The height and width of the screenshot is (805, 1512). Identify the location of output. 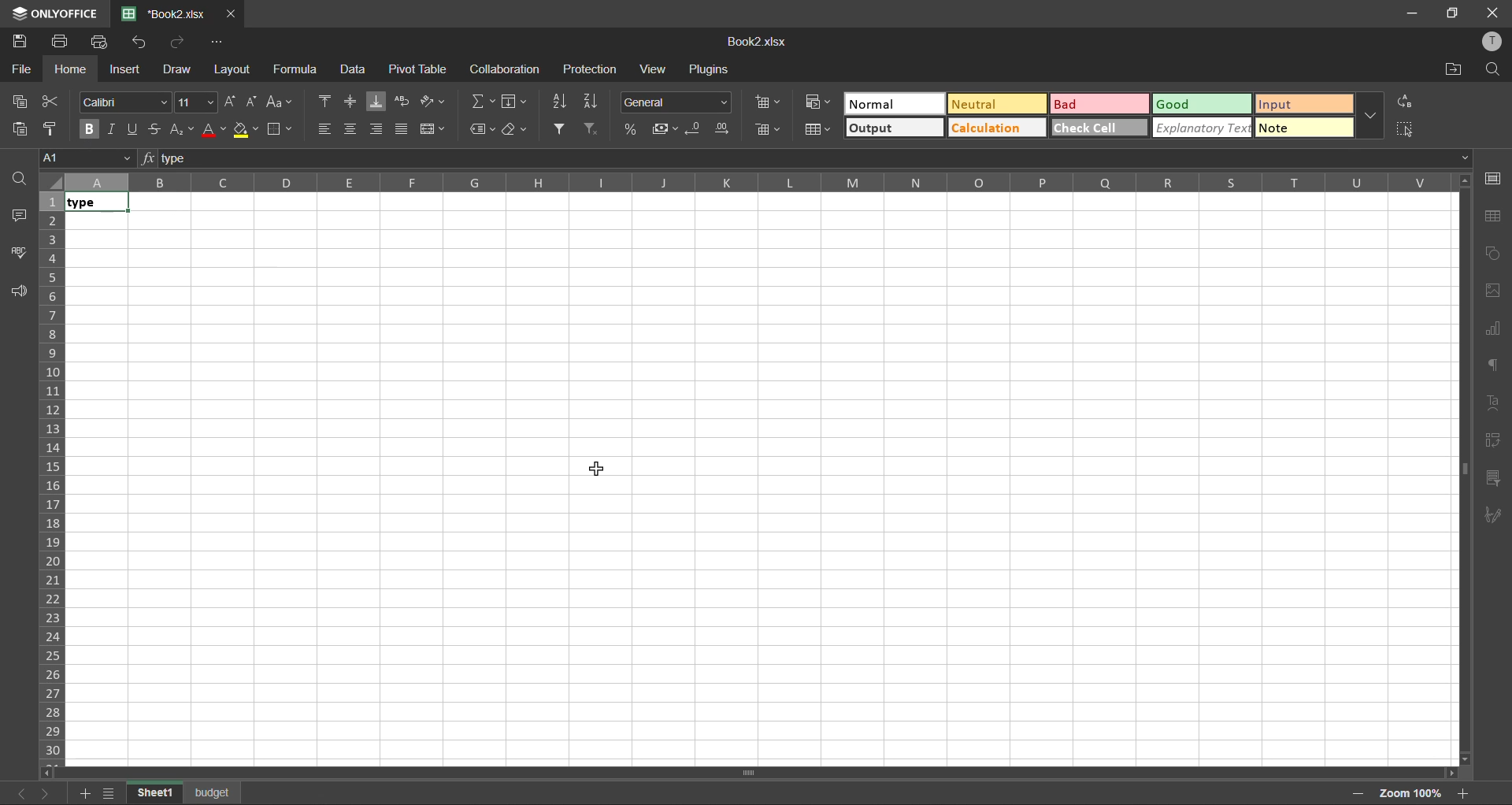
(893, 128).